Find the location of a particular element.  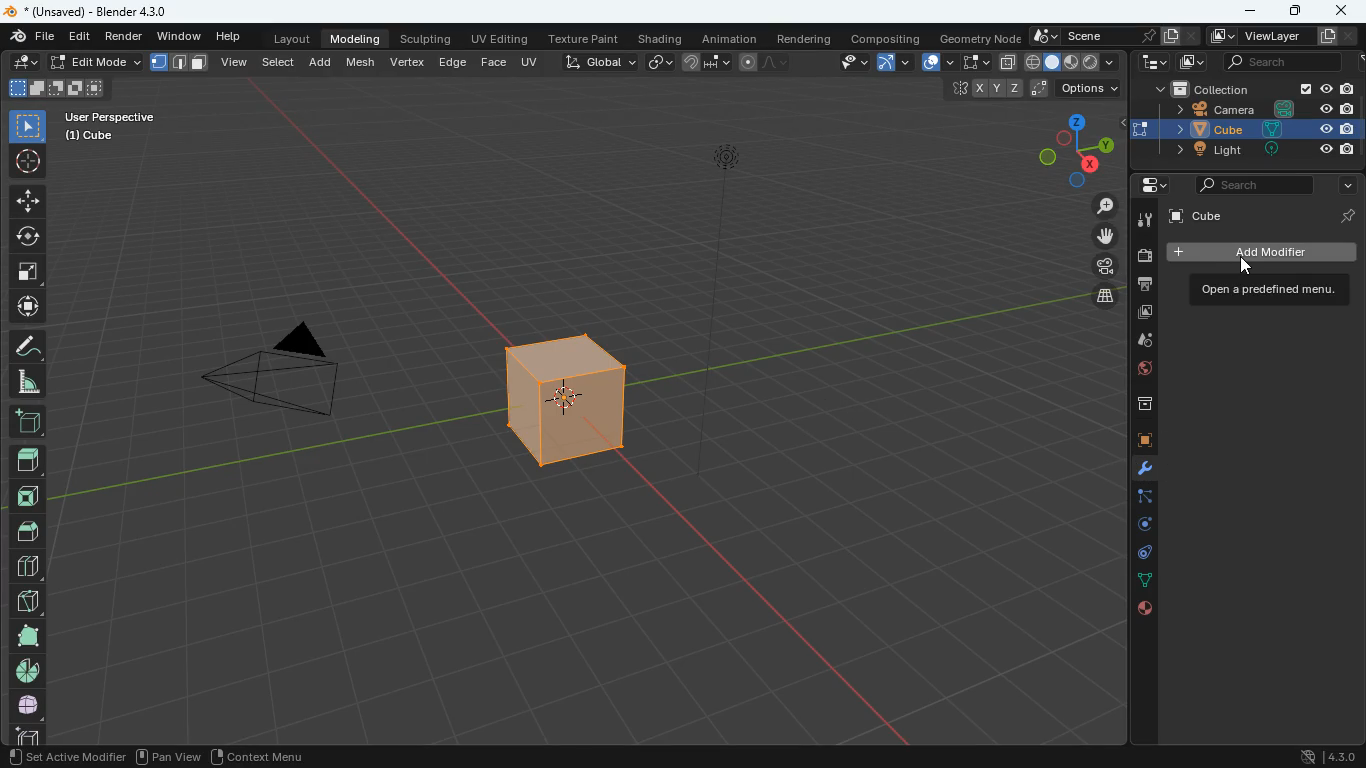

edit is located at coordinates (82, 37).